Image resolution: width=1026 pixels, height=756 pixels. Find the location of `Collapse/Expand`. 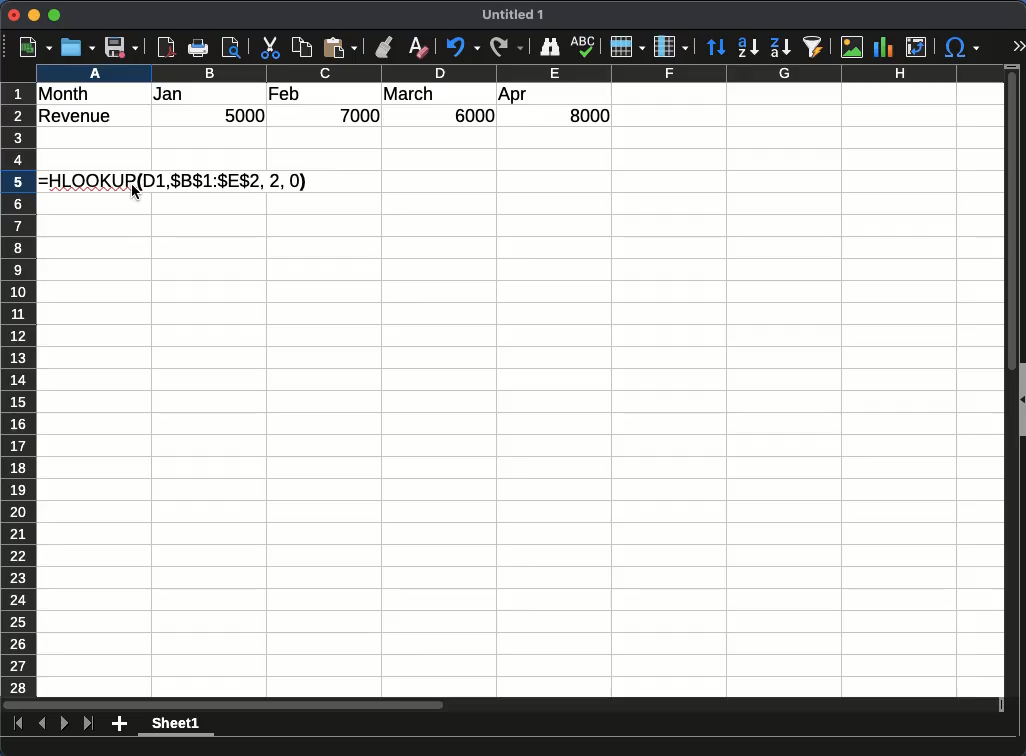

Collapse/Expand is located at coordinates (1022, 400).